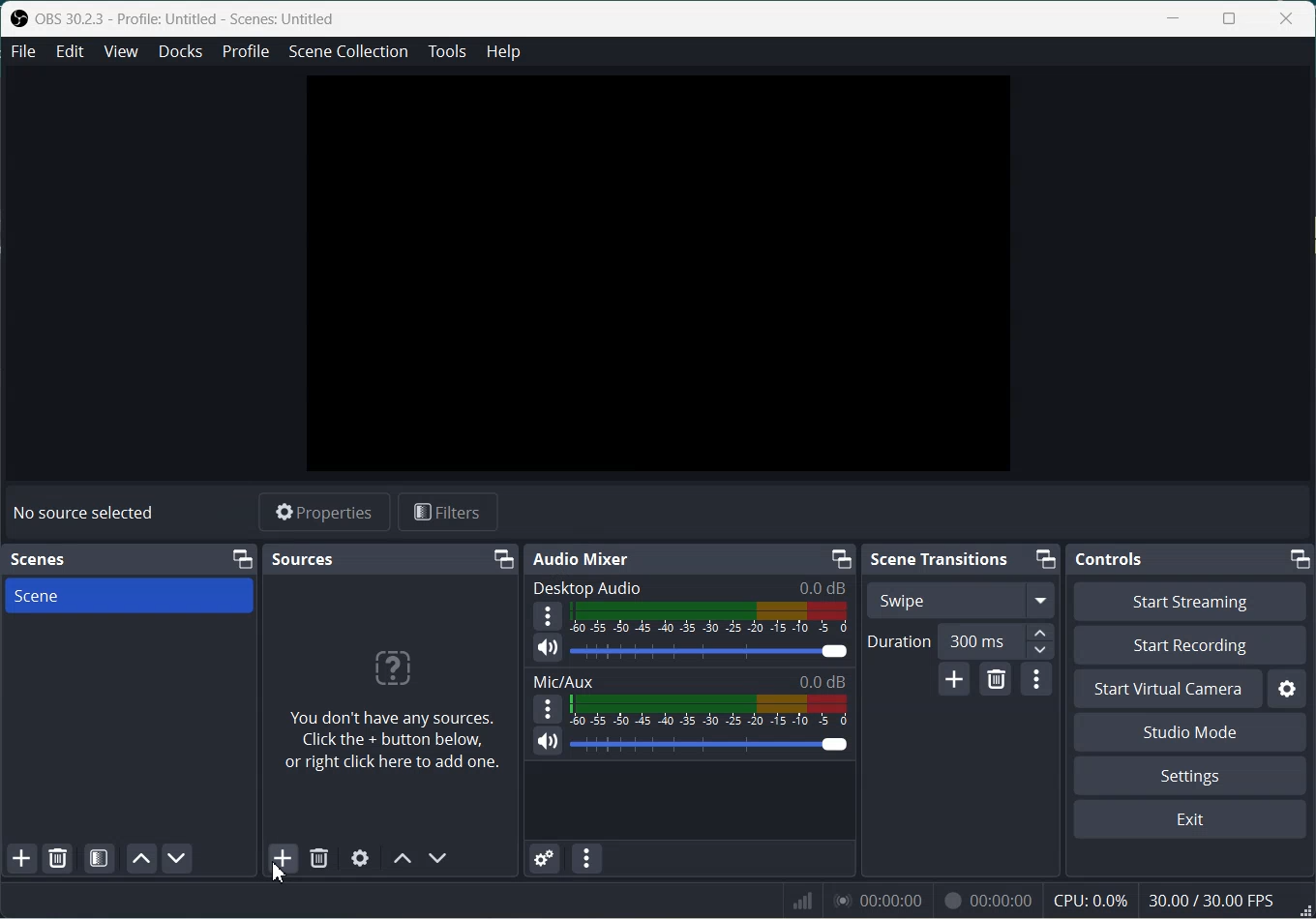 The width and height of the screenshot is (1316, 919). Describe the element at coordinates (708, 618) in the screenshot. I see `Volume Indicator` at that location.